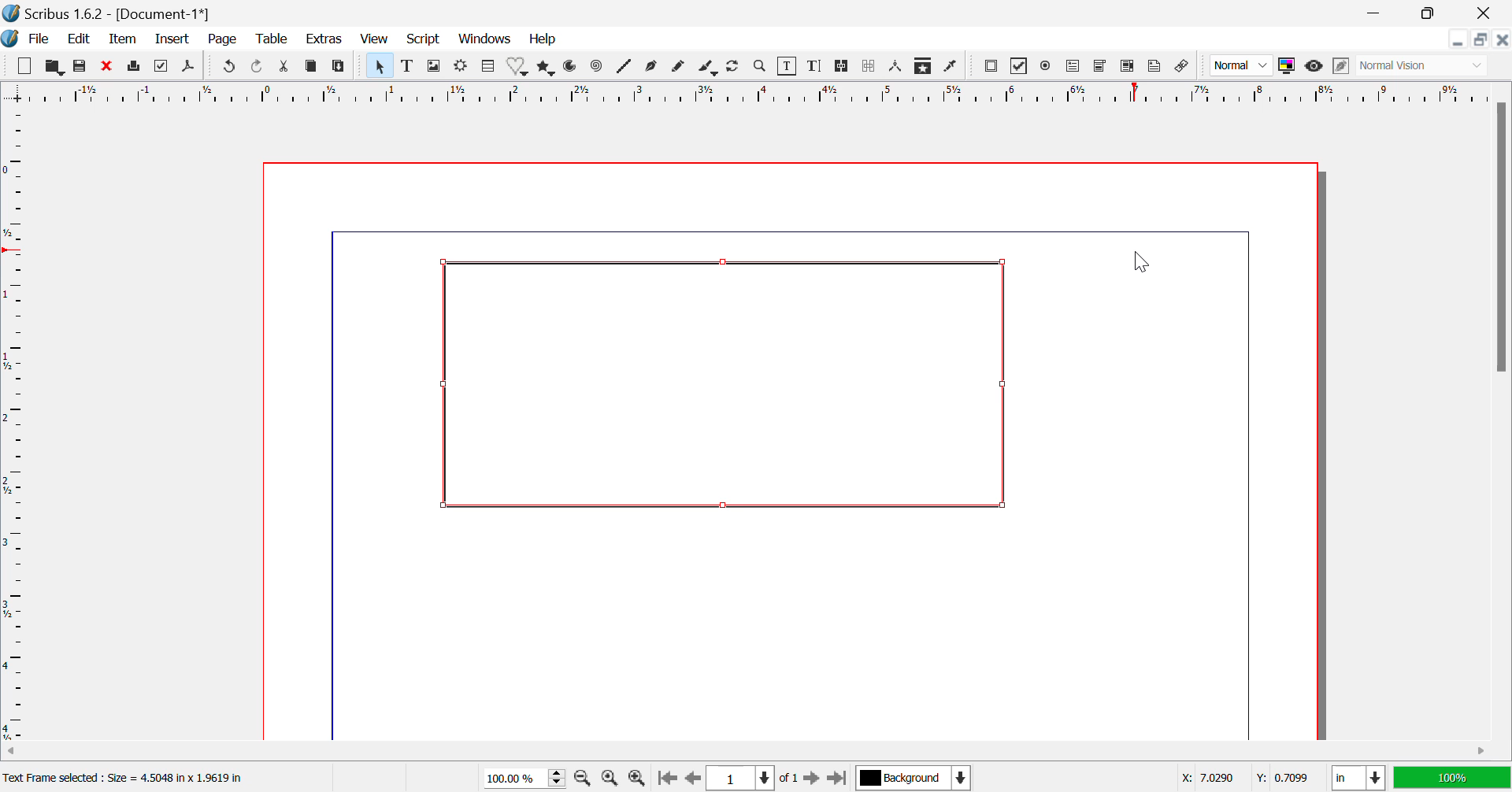 The height and width of the screenshot is (792, 1512). Describe the element at coordinates (666, 778) in the screenshot. I see `First Page` at that location.